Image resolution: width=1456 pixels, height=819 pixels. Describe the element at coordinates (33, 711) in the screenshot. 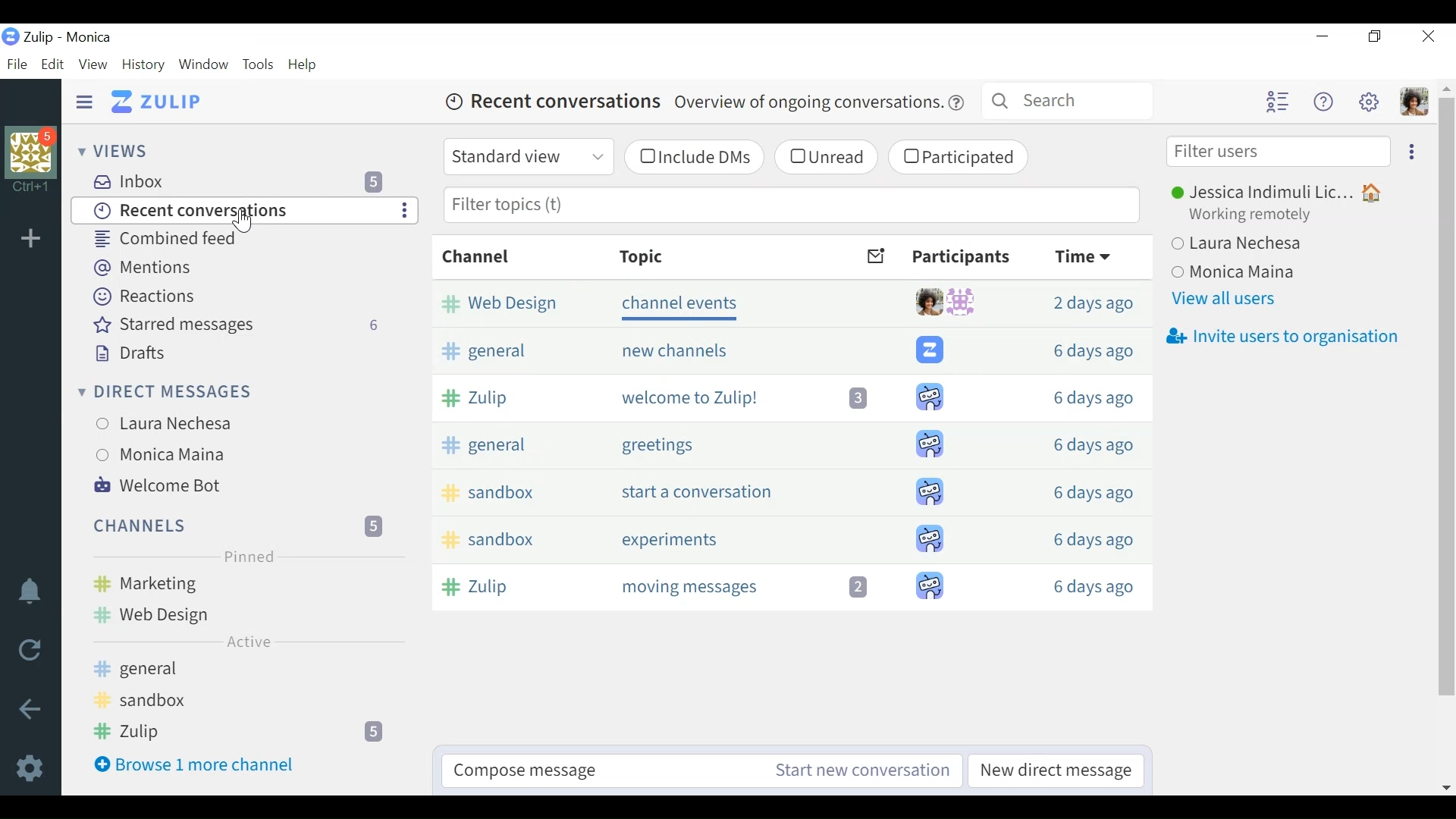

I see `Back` at that location.